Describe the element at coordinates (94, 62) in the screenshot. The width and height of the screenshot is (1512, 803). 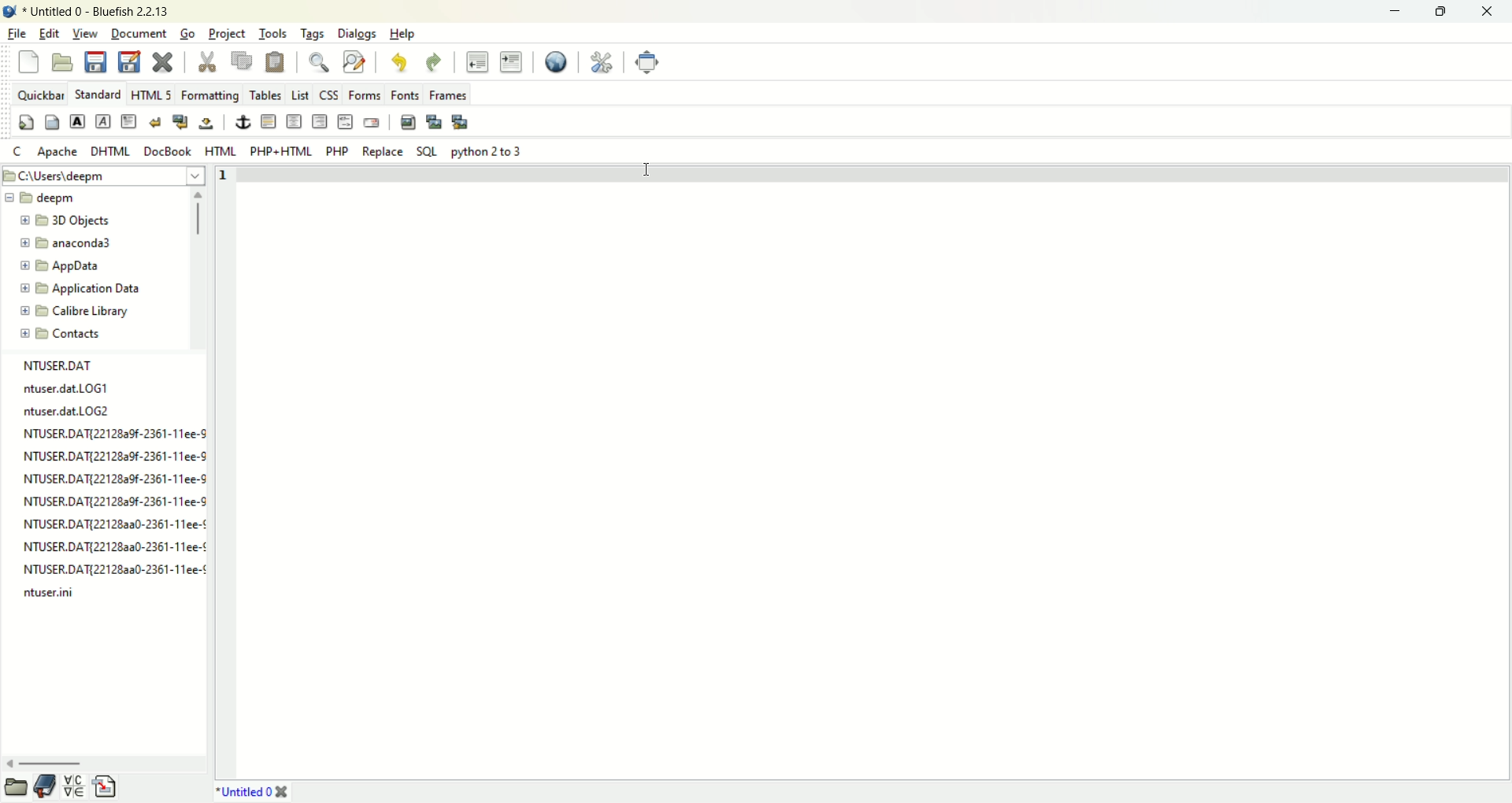
I see `save` at that location.